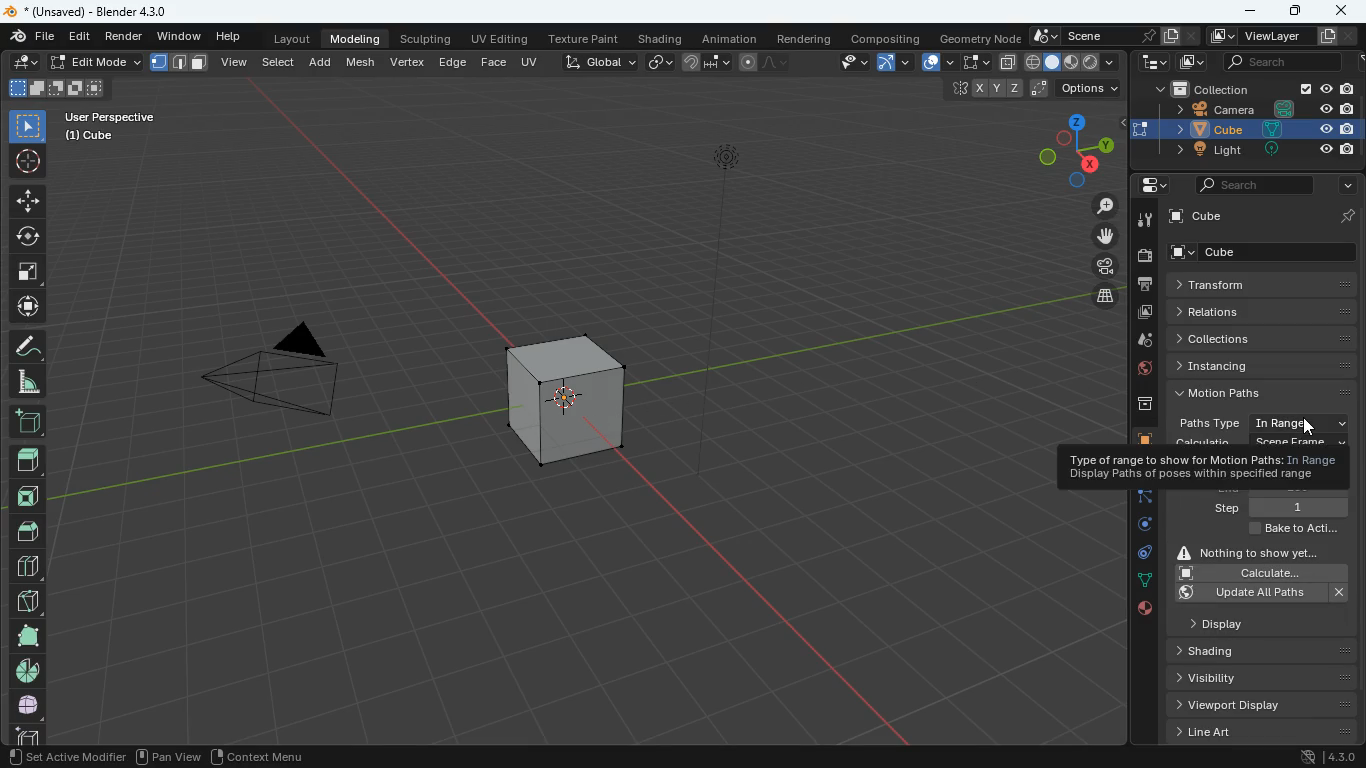 The image size is (1366, 768). Describe the element at coordinates (1065, 149) in the screenshot. I see `dimension` at that location.